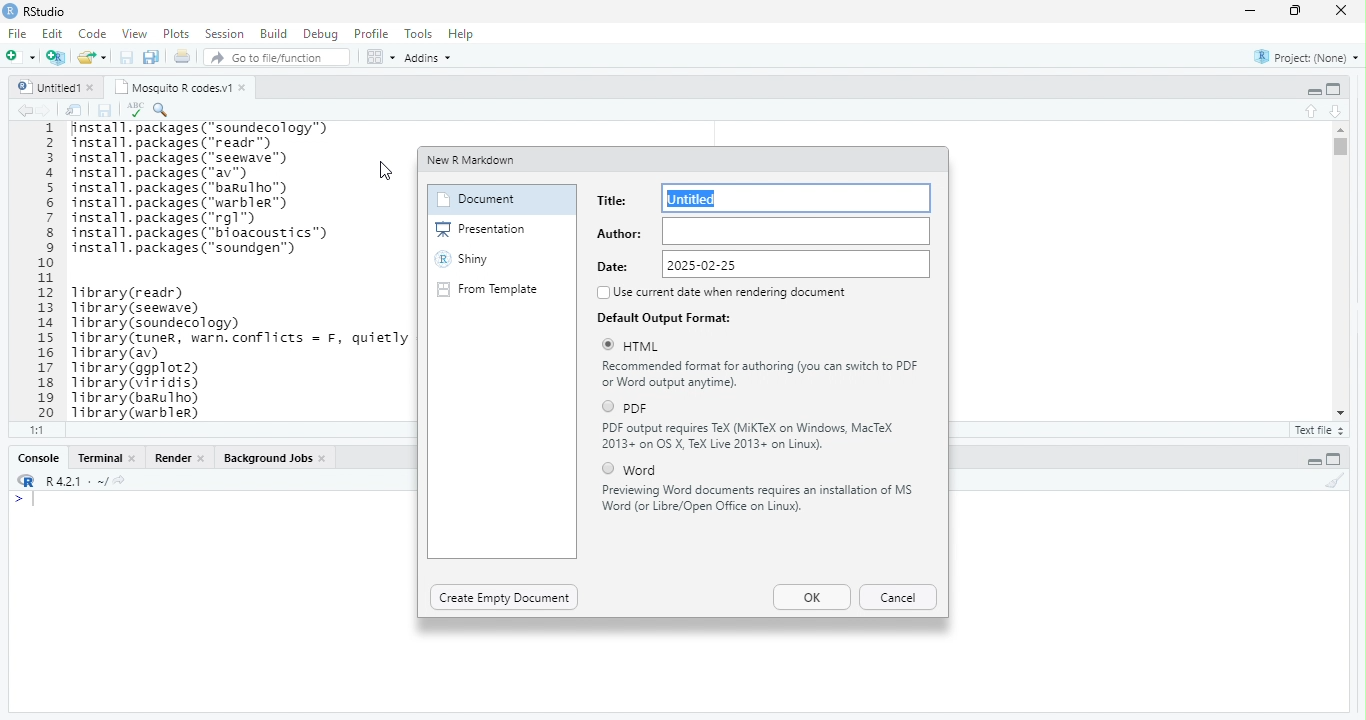 Image resolution: width=1366 pixels, height=720 pixels. I want to click on correct spells, so click(135, 109).